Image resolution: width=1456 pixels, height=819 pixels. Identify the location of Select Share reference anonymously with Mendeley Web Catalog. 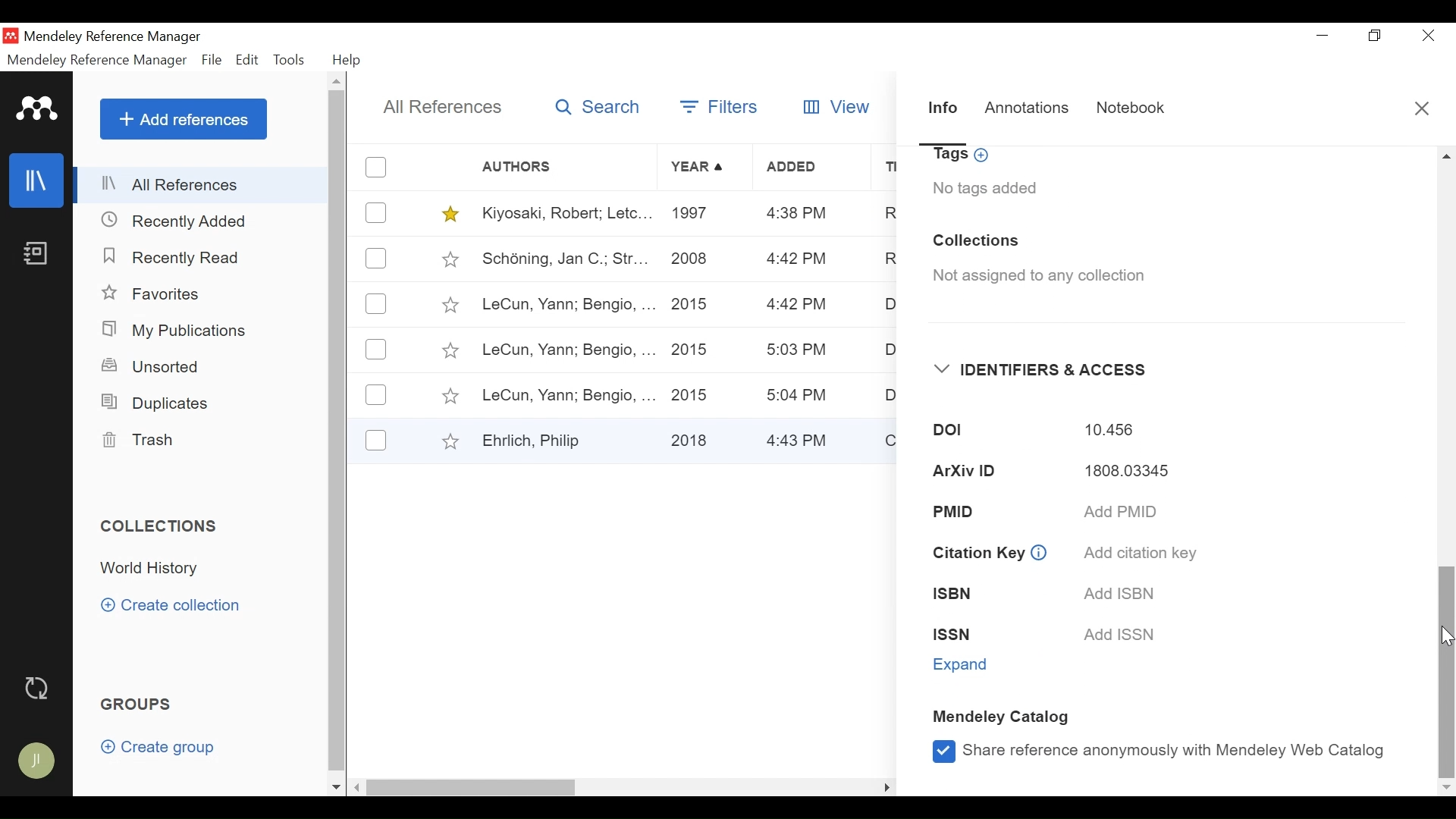
(1157, 750).